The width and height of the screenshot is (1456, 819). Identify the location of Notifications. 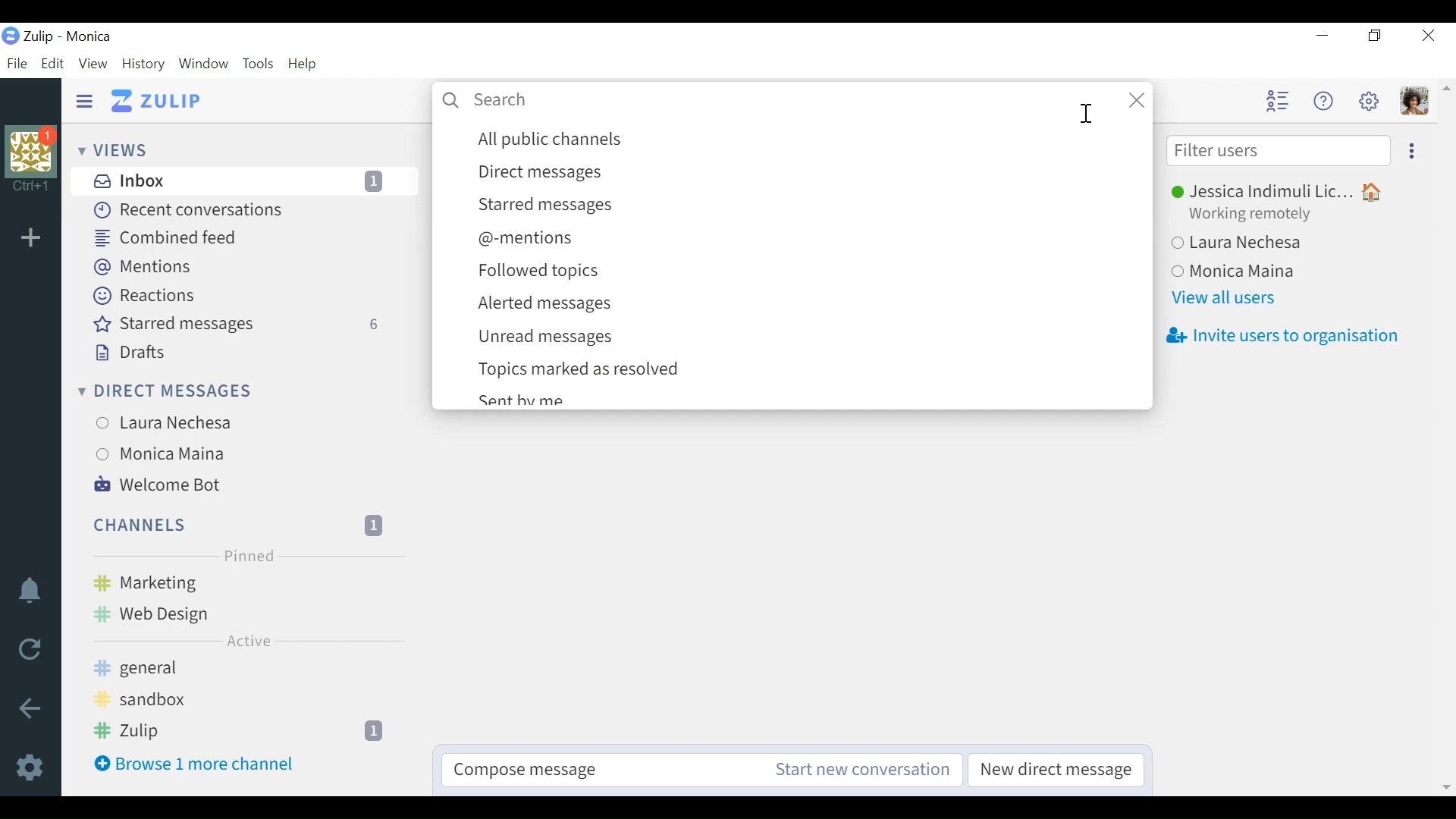
(30, 594).